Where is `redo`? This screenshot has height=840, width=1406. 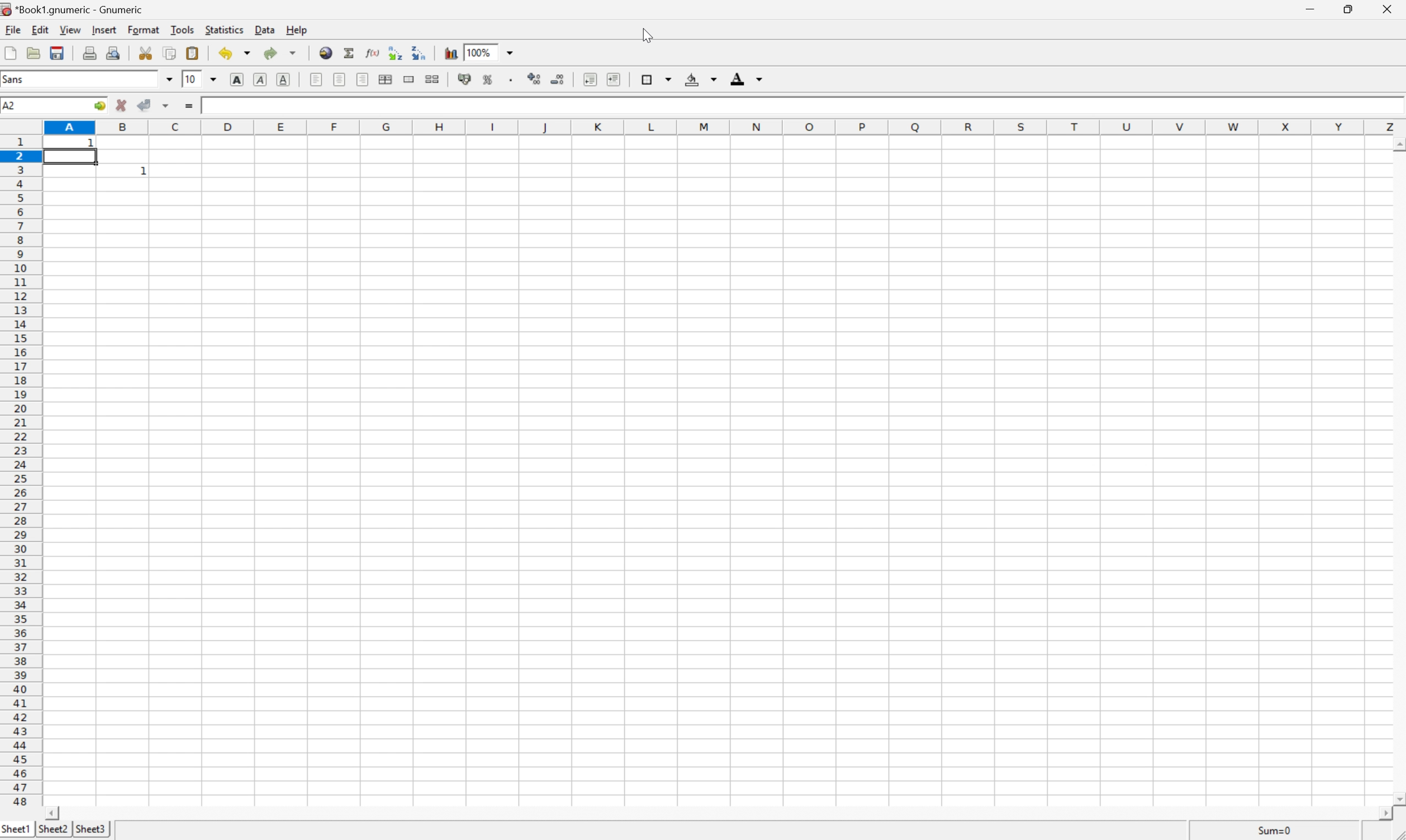
redo is located at coordinates (281, 53).